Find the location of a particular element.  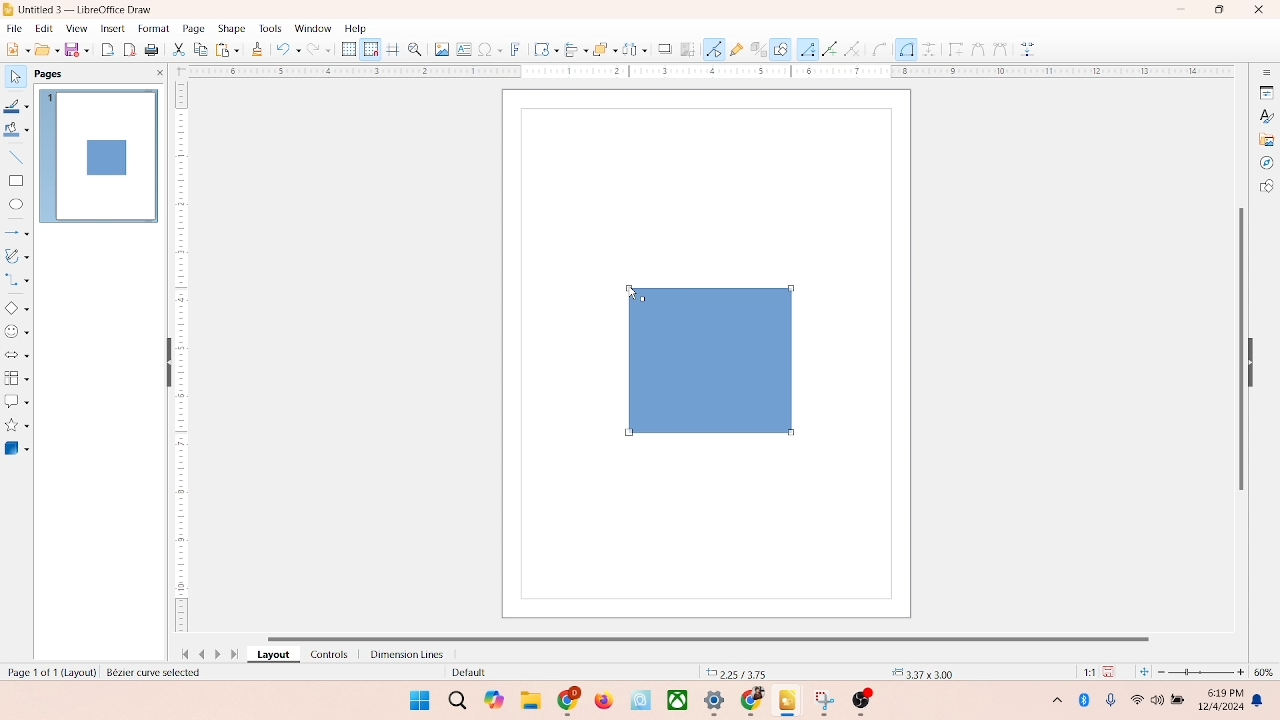

last page is located at coordinates (236, 655).